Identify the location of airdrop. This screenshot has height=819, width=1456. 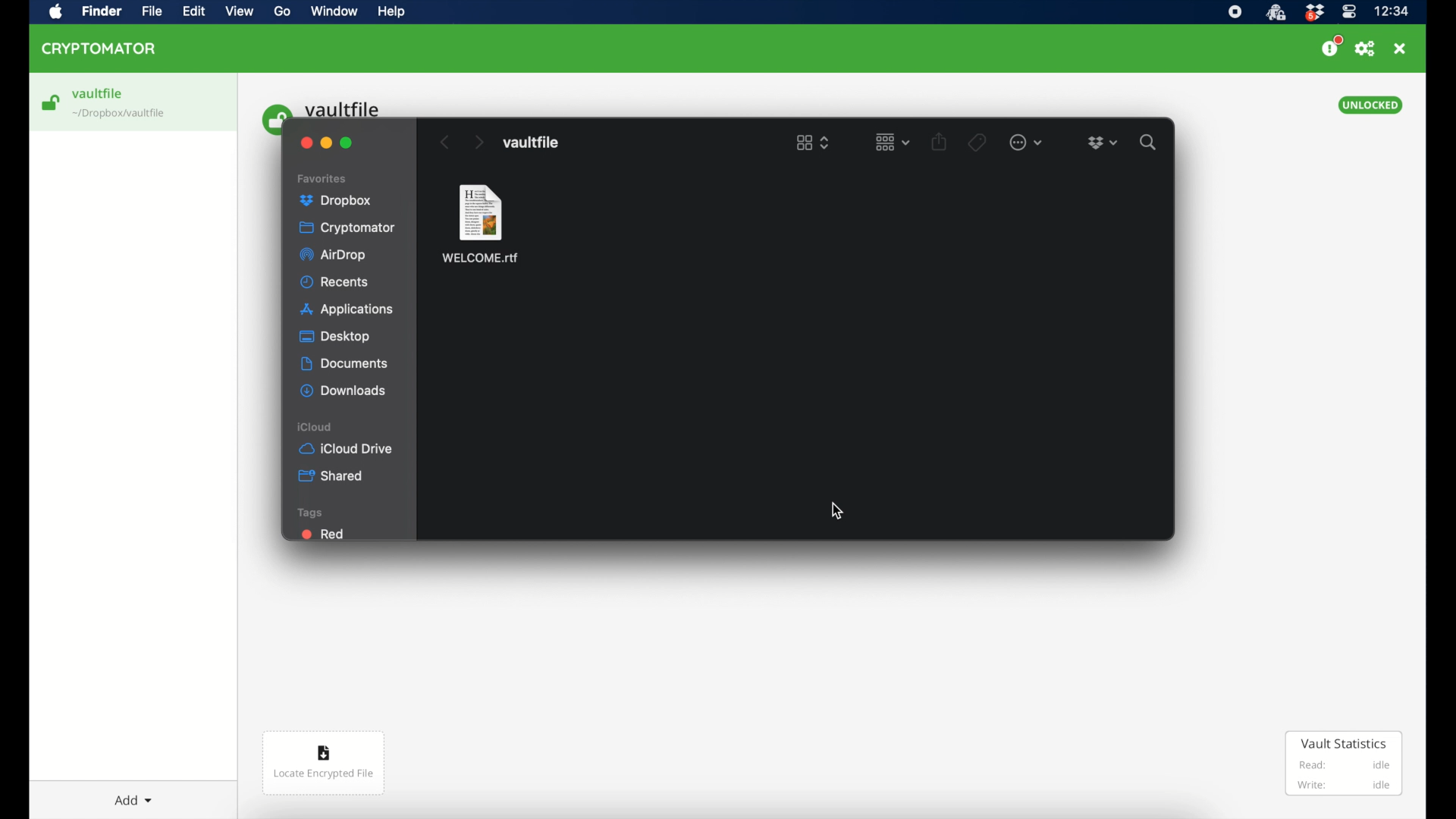
(334, 255).